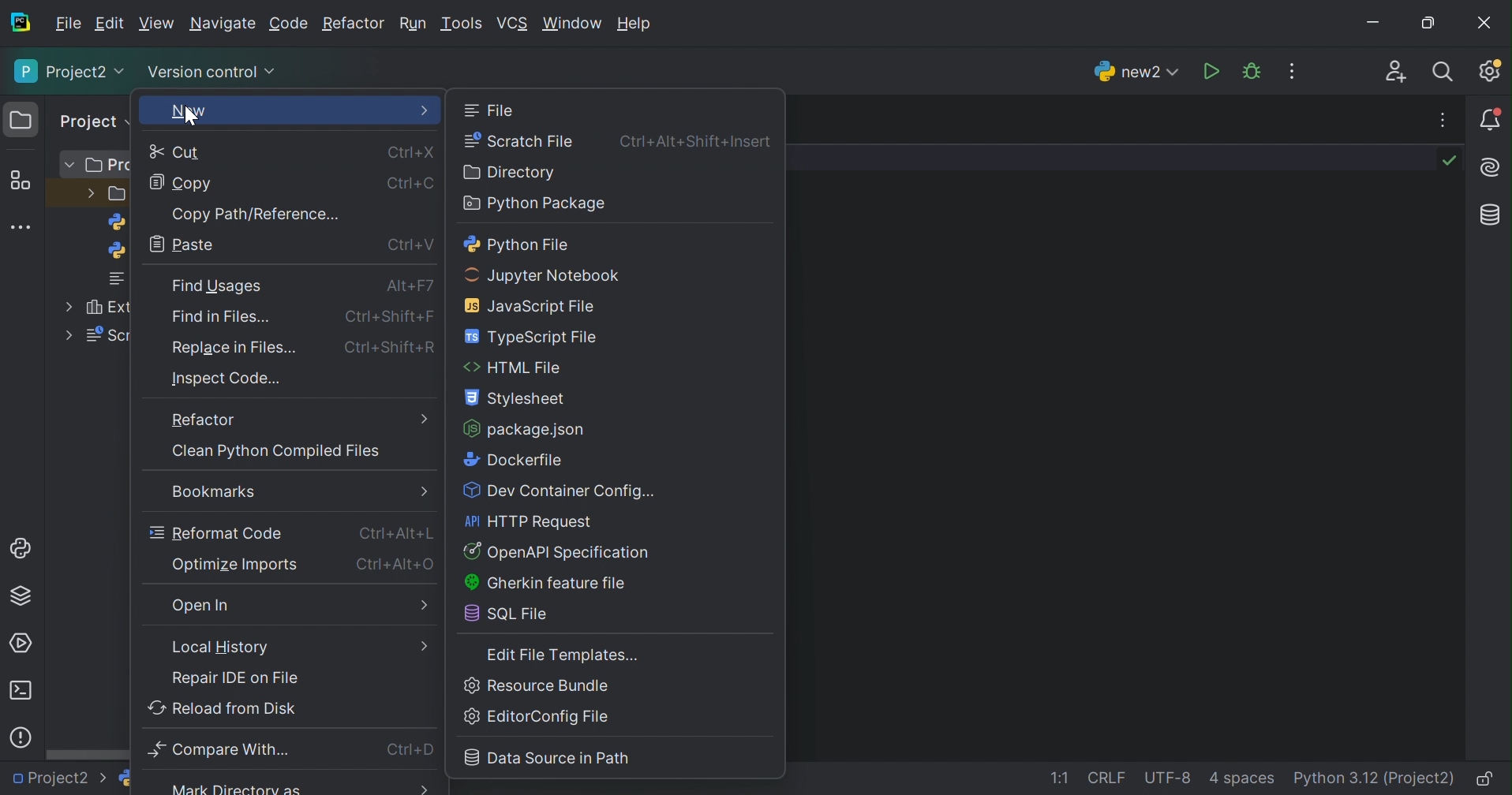 This screenshot has width=1512, height=795. Describe the element at coordinates (235, 348) in the screenshot. I see `Replace in files` at that location.